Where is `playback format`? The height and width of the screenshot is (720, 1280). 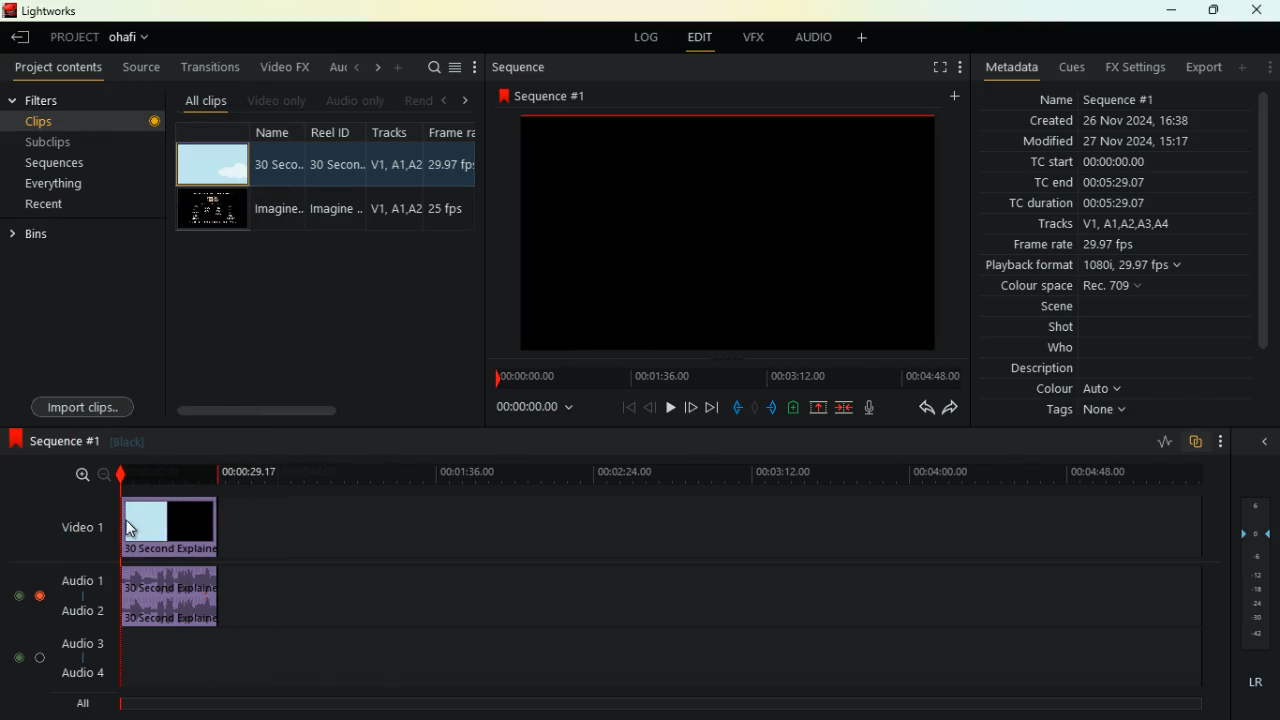
playback format is located at coordinates (1096, 267).